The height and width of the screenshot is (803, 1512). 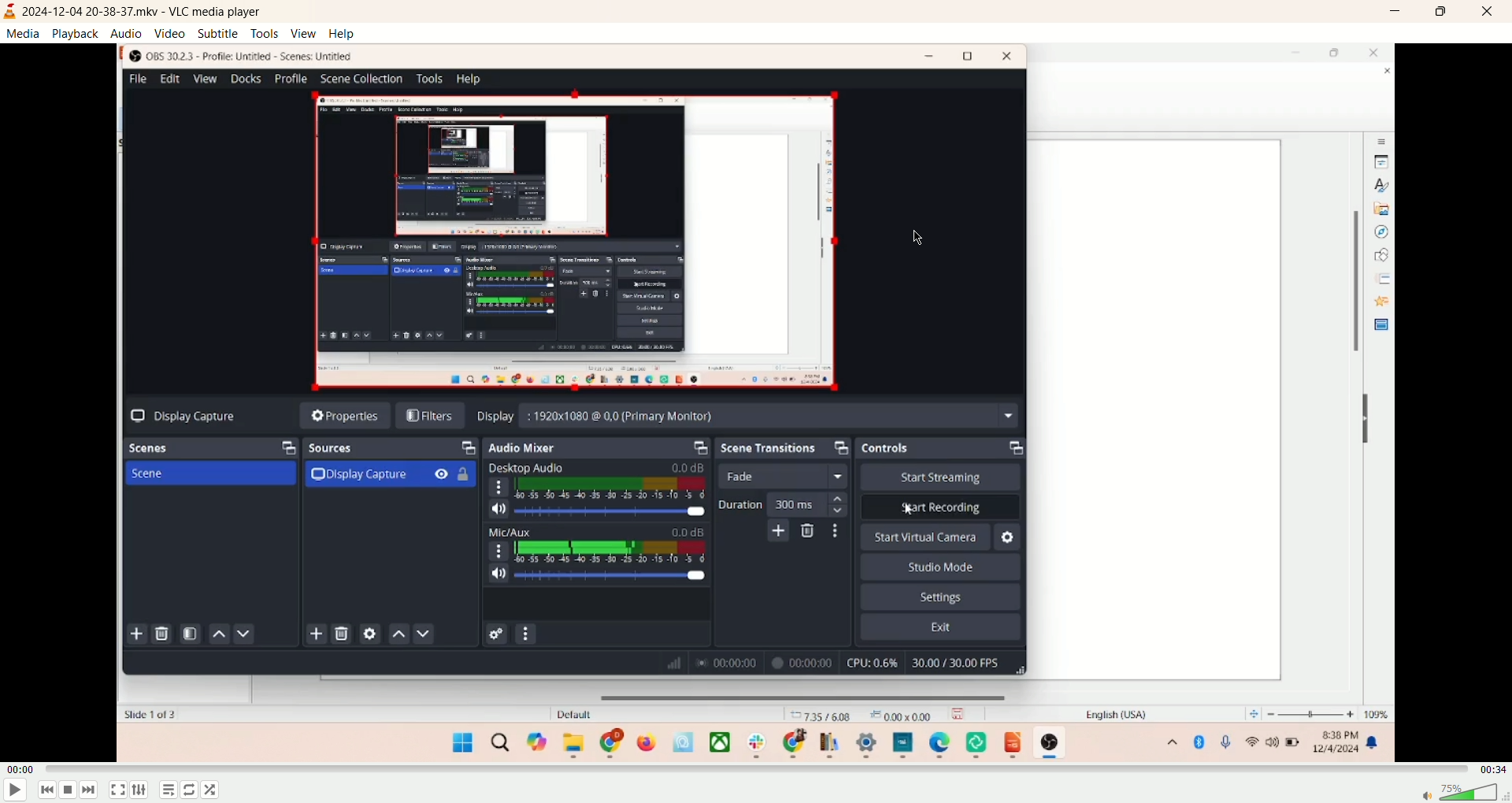 I want to click on previous, so click(x=44, y=790).